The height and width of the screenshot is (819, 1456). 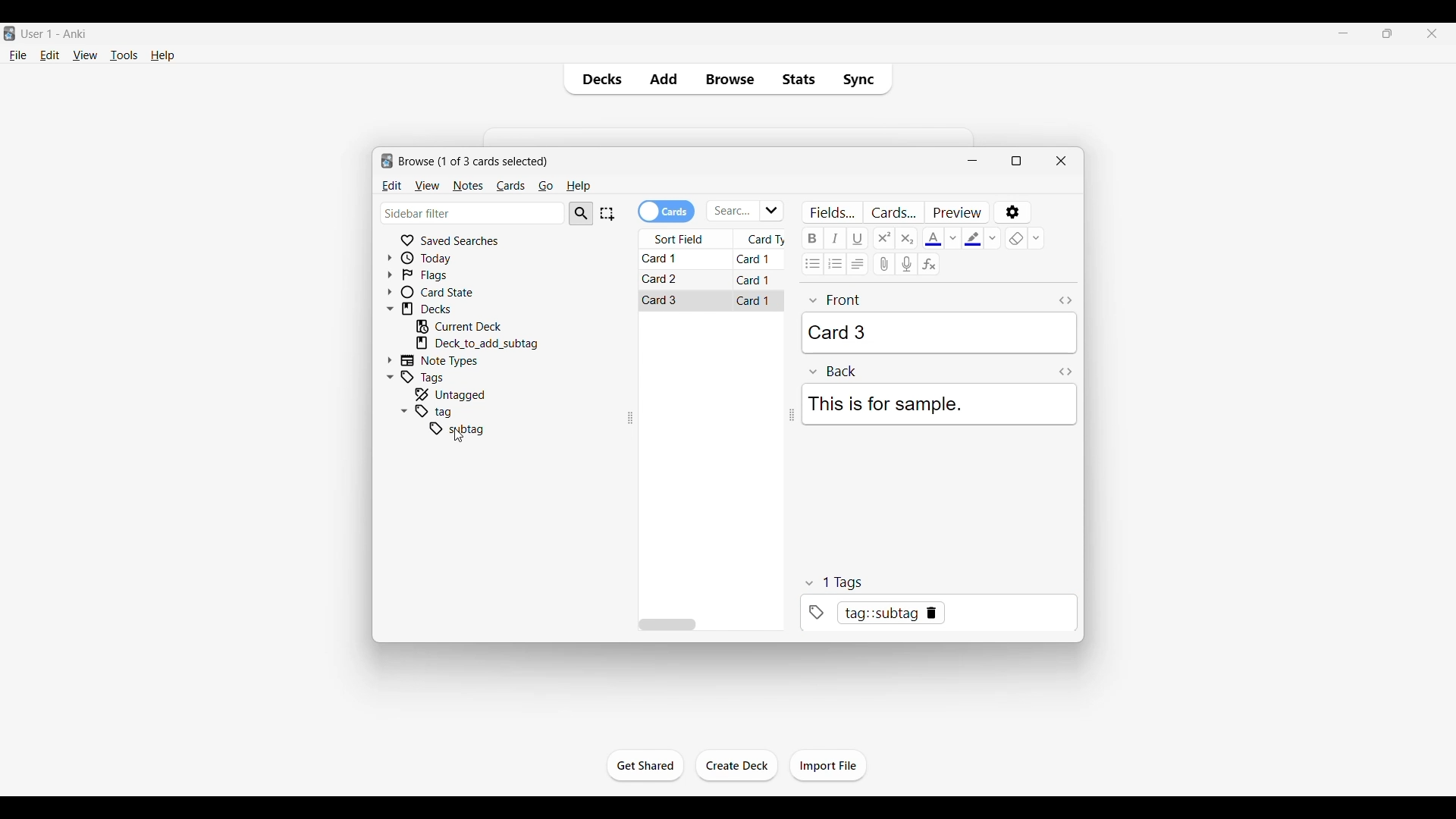 What do you see at coordinates (812, 238) in the screenshot?
I see `Bold text` at bounding box center [812, 238].